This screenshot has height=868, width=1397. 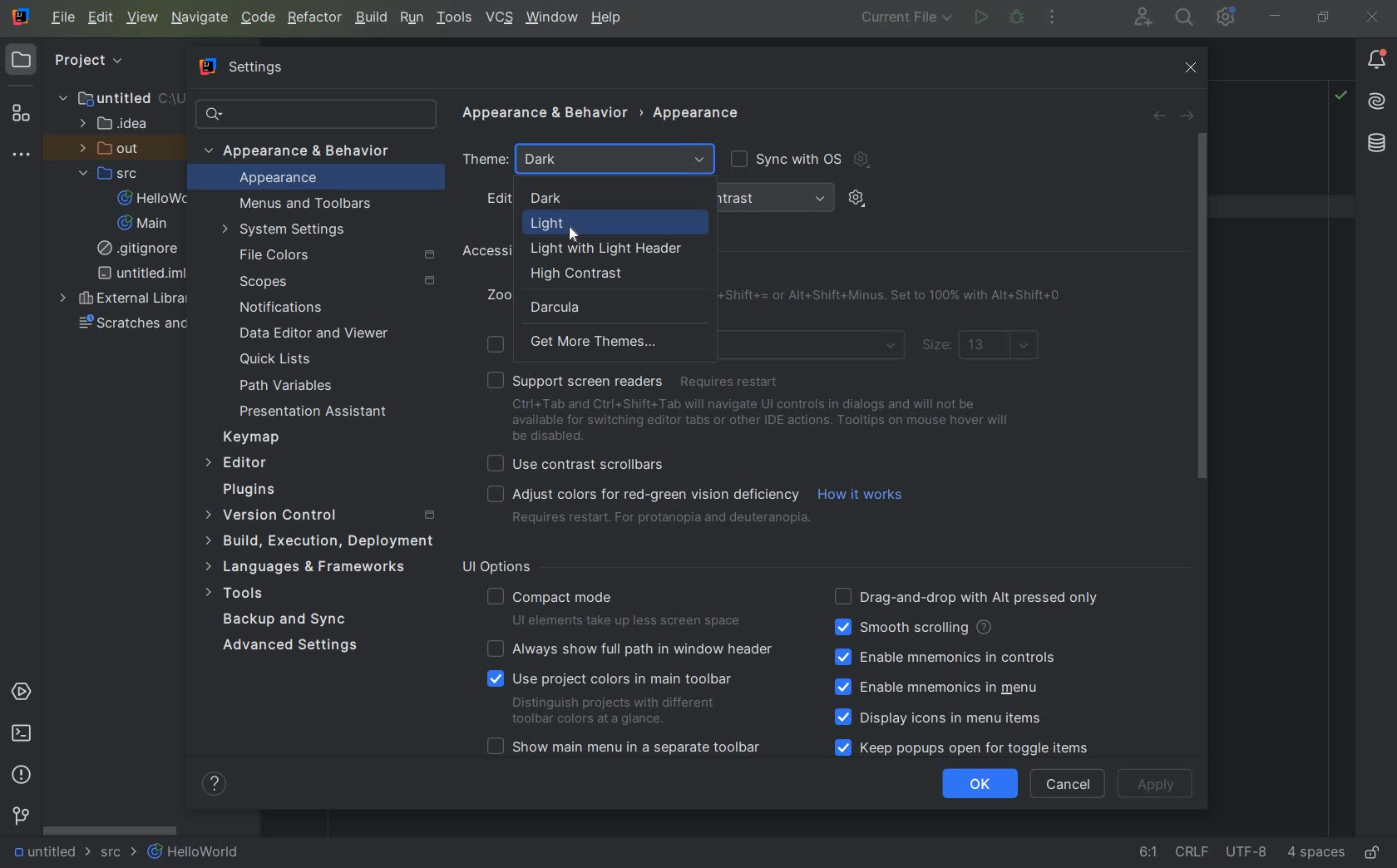 What do you see at coordinates (565, 306) in the screenshot?
I see `darcular` at bounding box center [565, 306].